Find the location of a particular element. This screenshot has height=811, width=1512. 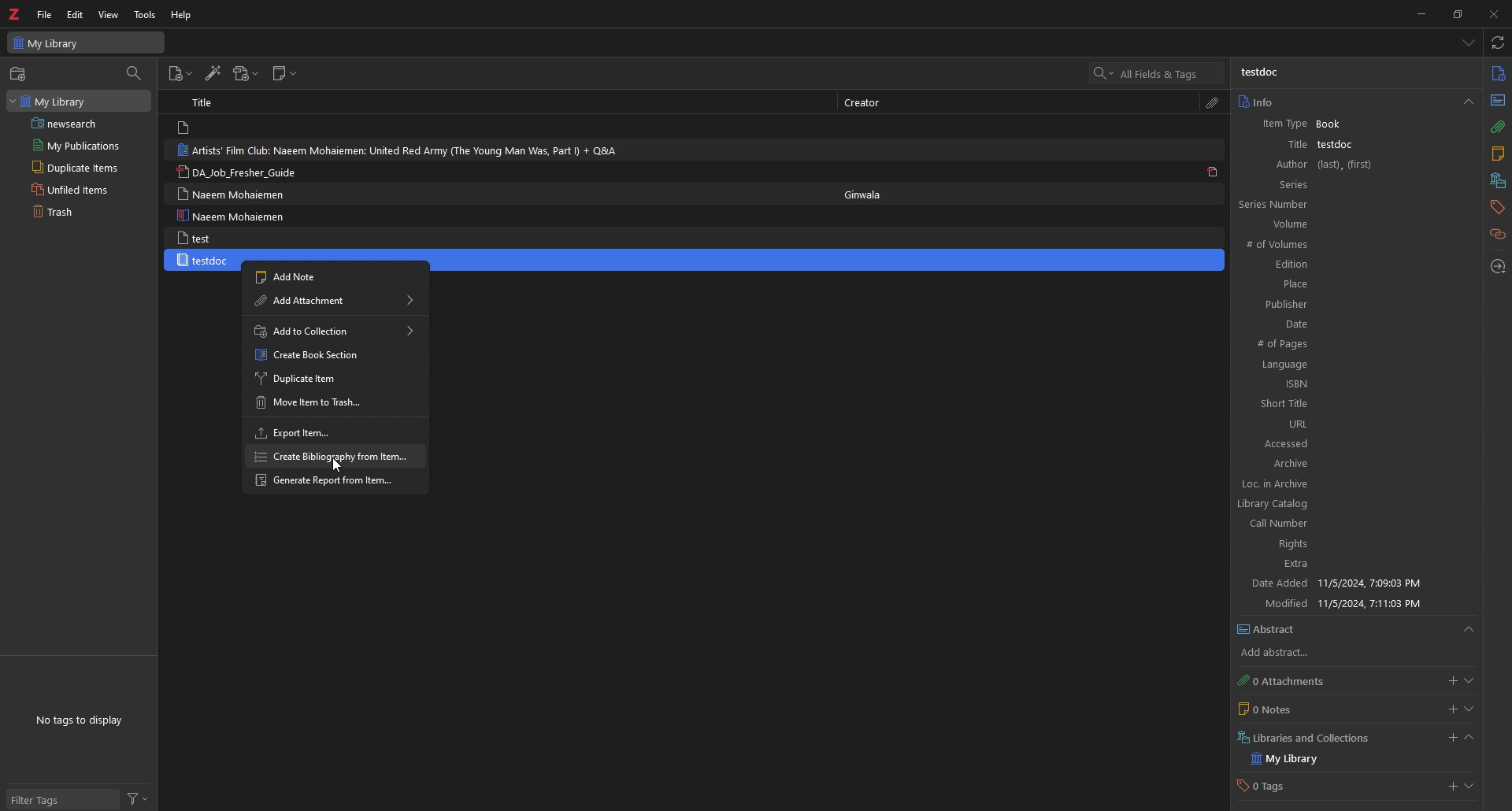

help is located at coordinates (183, 14).